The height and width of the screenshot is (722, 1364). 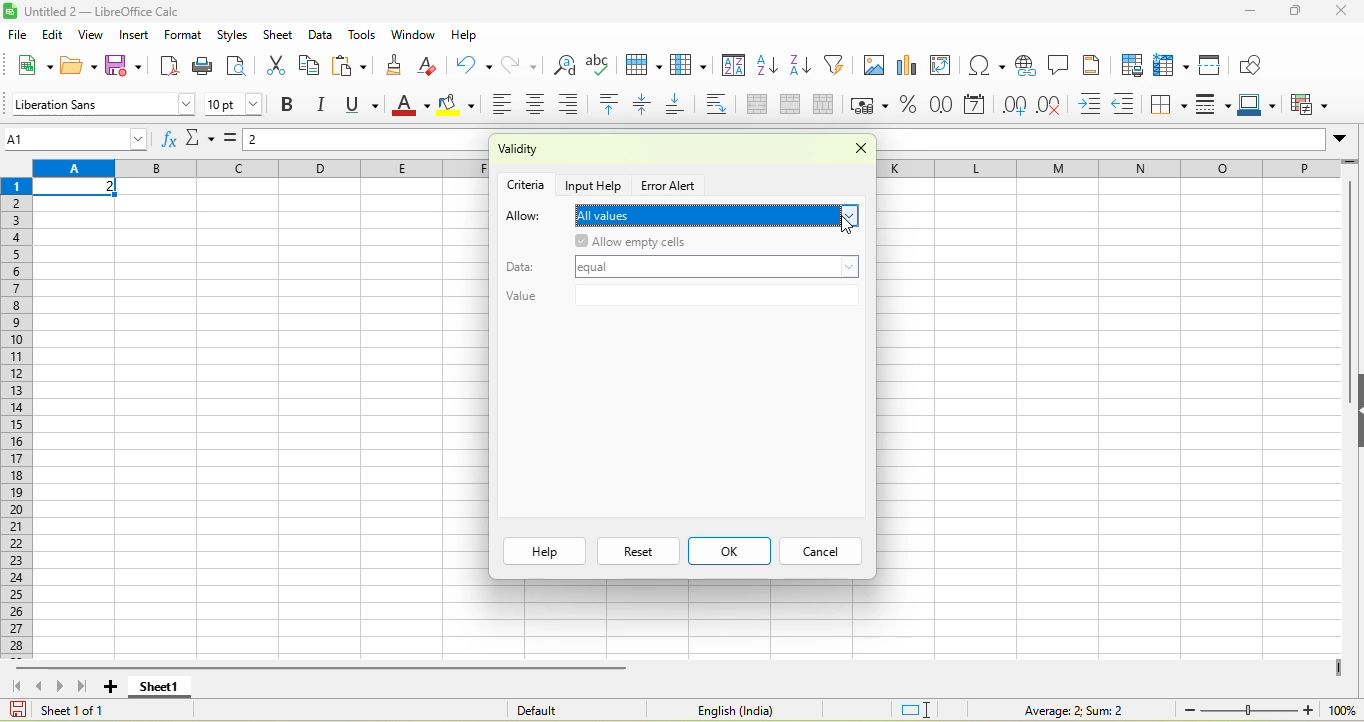 I want to click on conditional, so click(x=1312, y=104).